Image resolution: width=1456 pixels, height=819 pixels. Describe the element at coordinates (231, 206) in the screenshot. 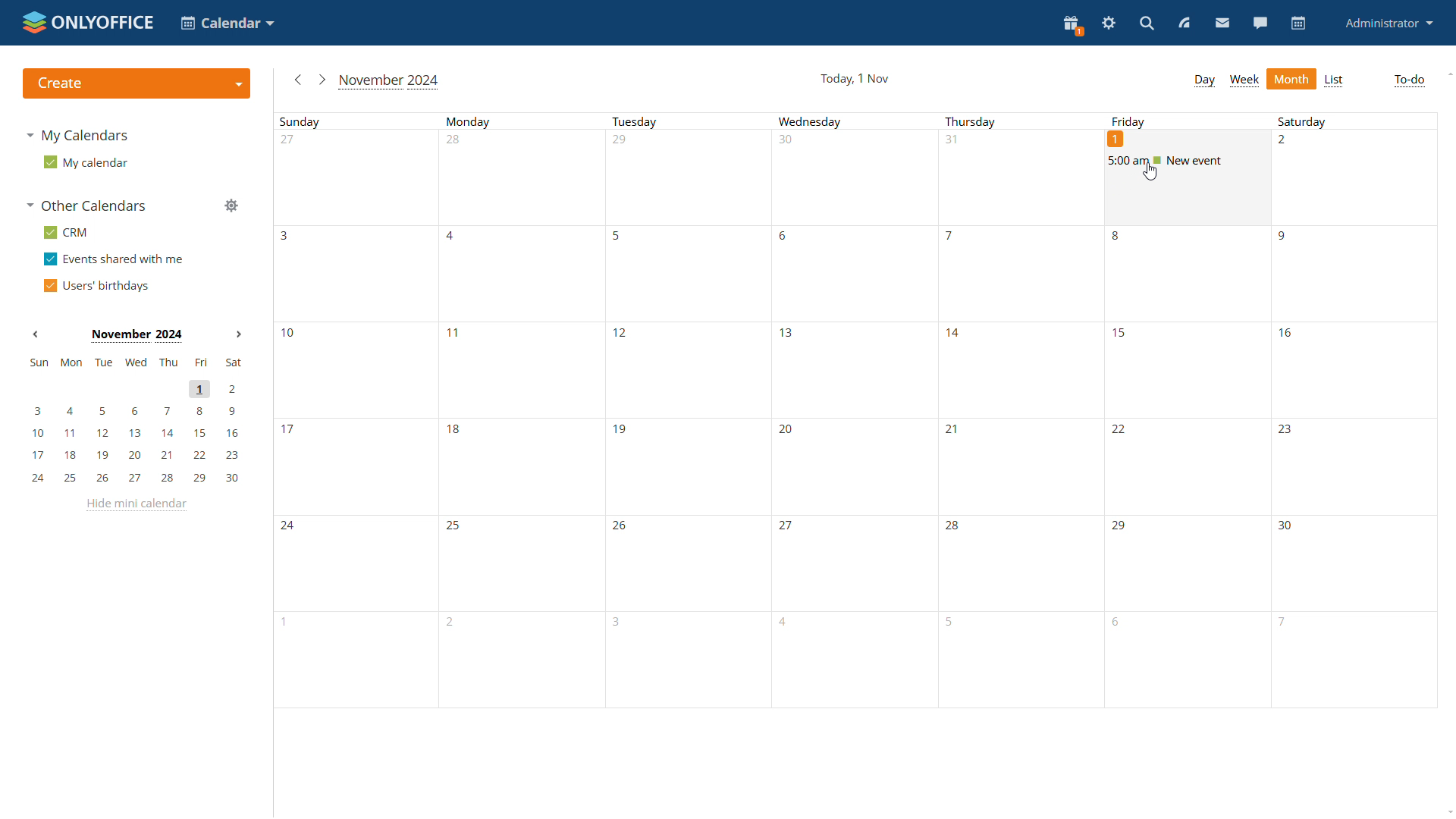

I see `manage` at that location.